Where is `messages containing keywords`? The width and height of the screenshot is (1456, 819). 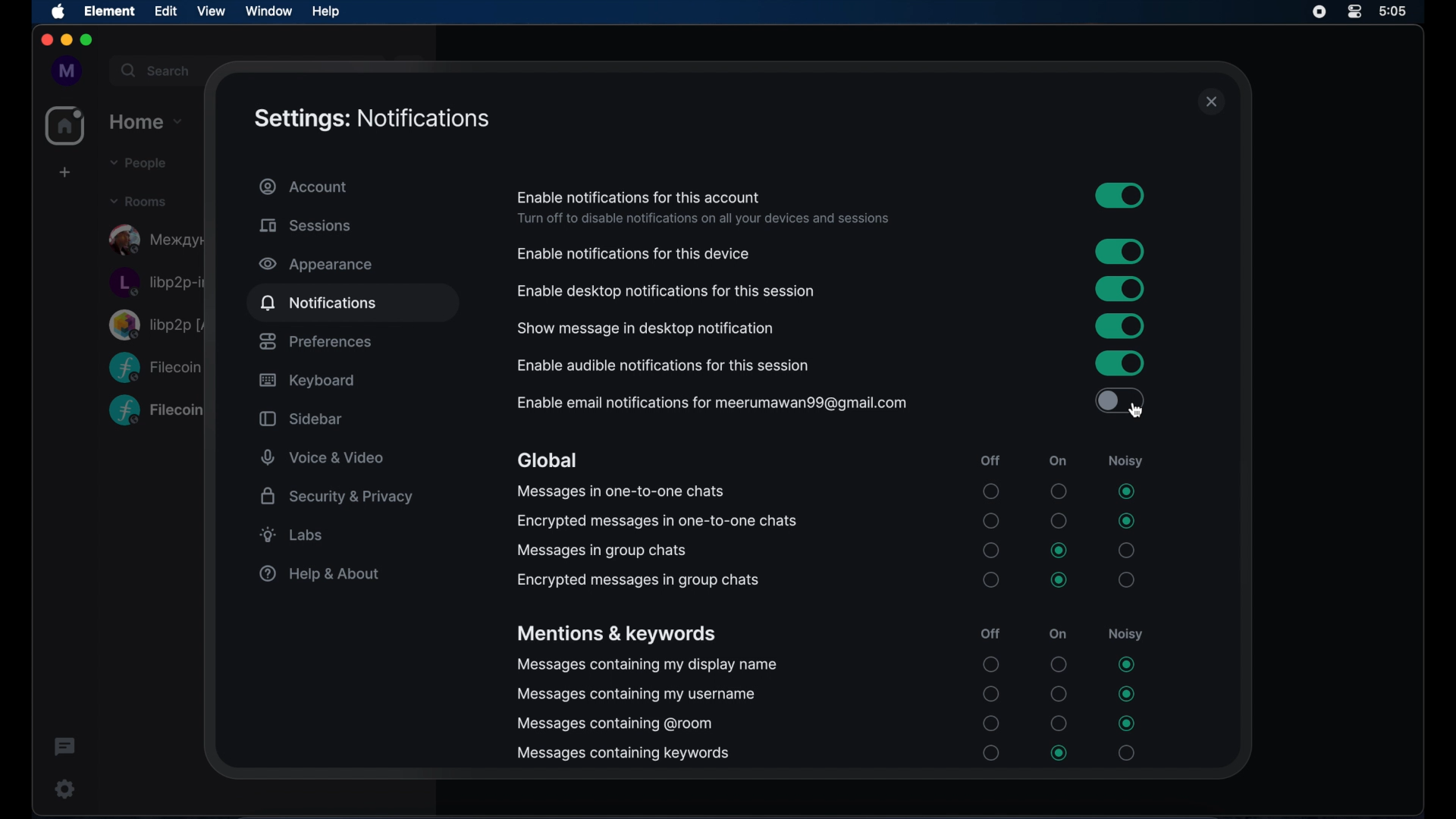
messages containing keywords is located at coordinates (623, 754).